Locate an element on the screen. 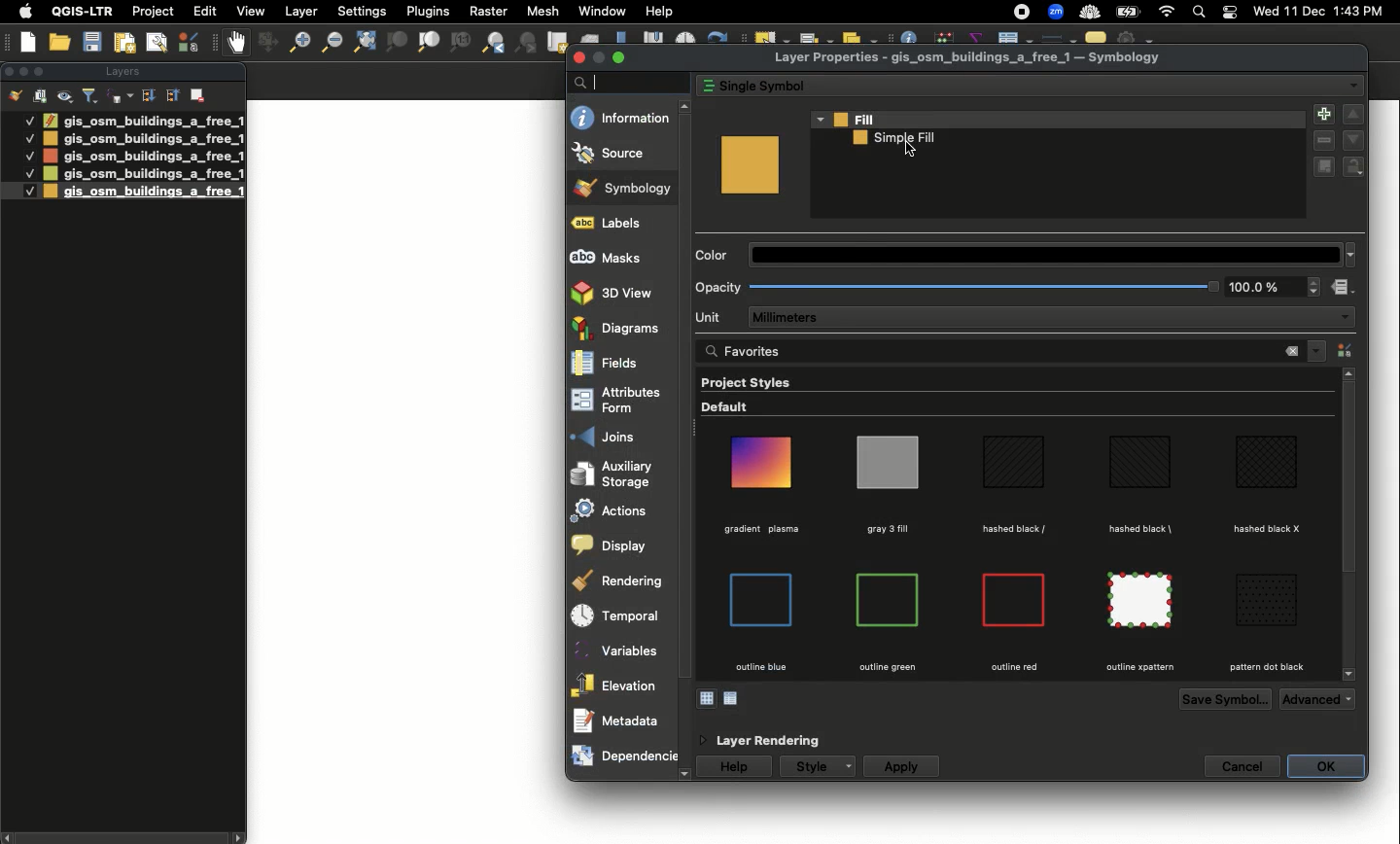 This screenshot has height=844, width=1400. battery is located at coordinates (1132, 11).